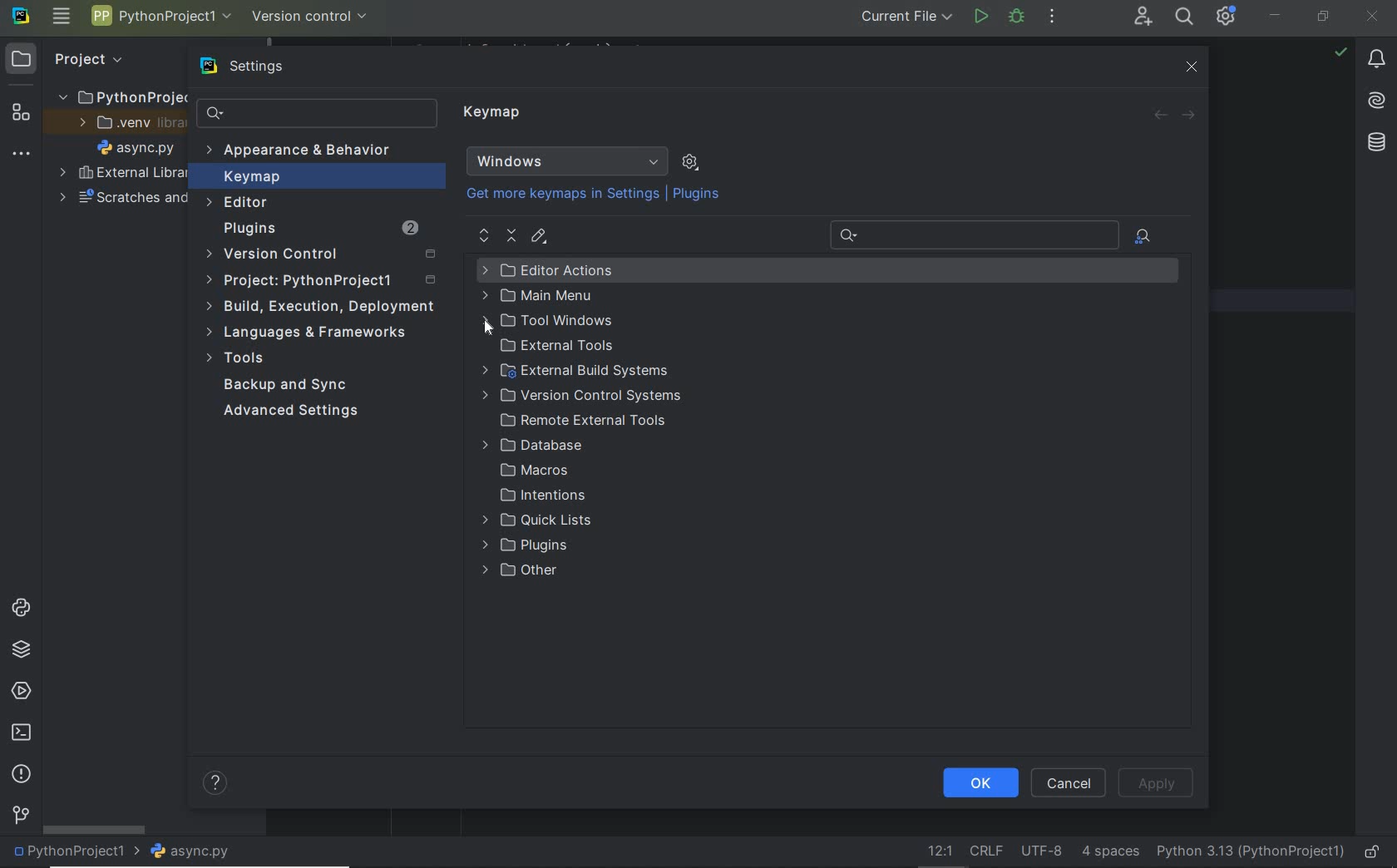  I want to click on back, so click(1161, 116).